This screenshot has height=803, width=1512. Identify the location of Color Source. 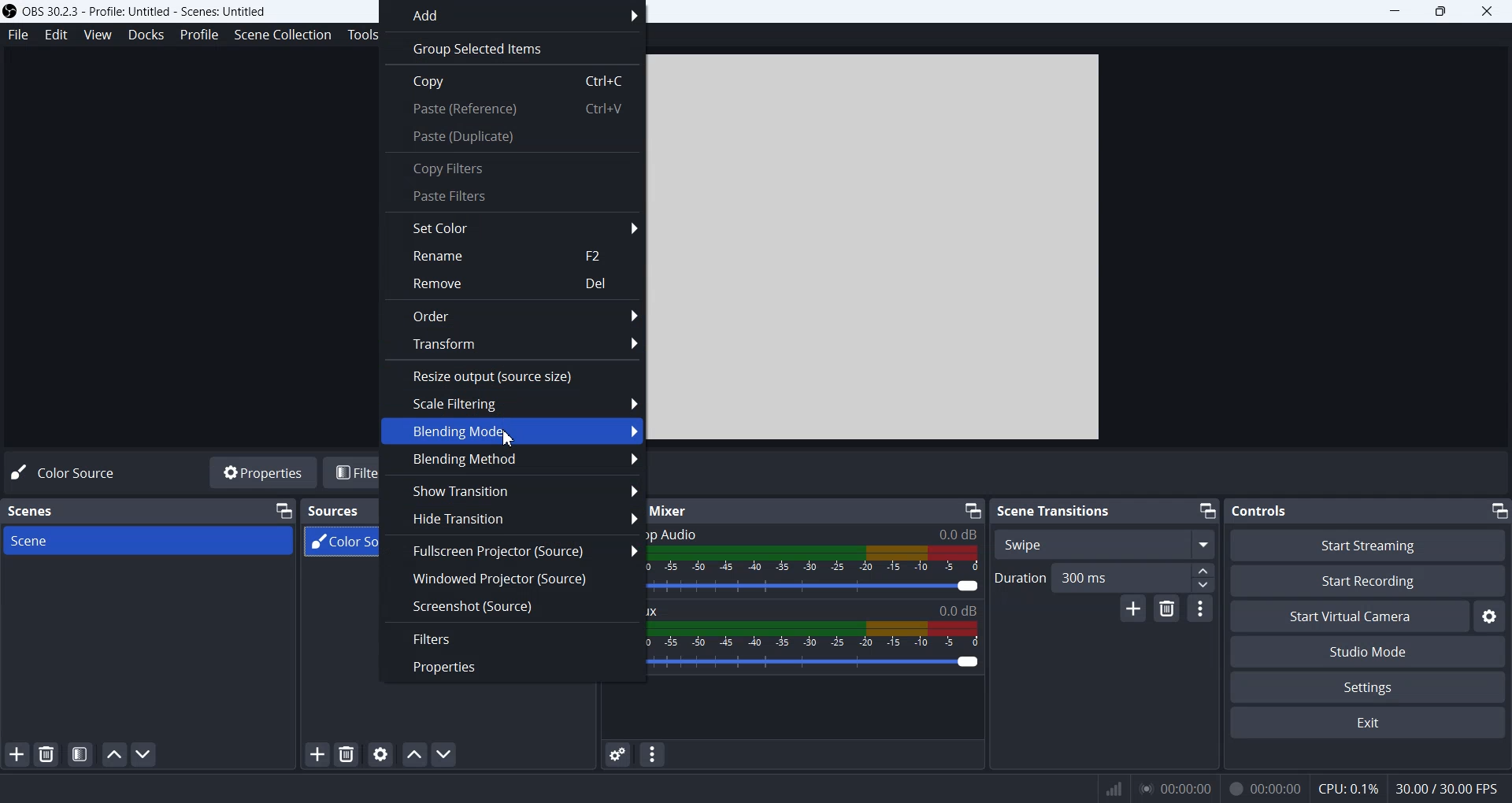
(67, 472).